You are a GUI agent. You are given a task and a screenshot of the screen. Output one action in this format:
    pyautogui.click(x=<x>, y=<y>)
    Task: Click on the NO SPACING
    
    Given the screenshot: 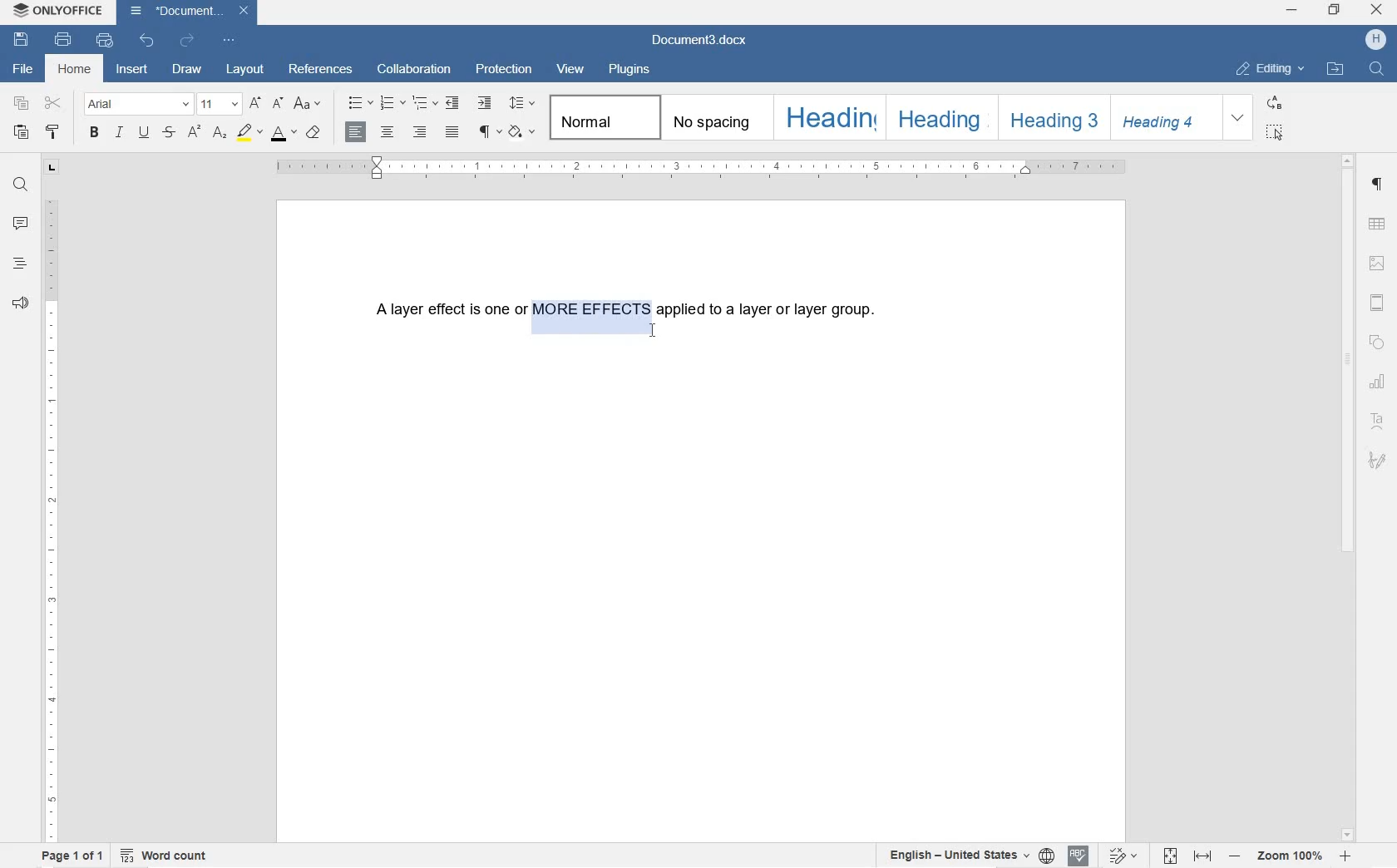 What is the action you would take?
    pyautogui.click(x=712, y=117)
    